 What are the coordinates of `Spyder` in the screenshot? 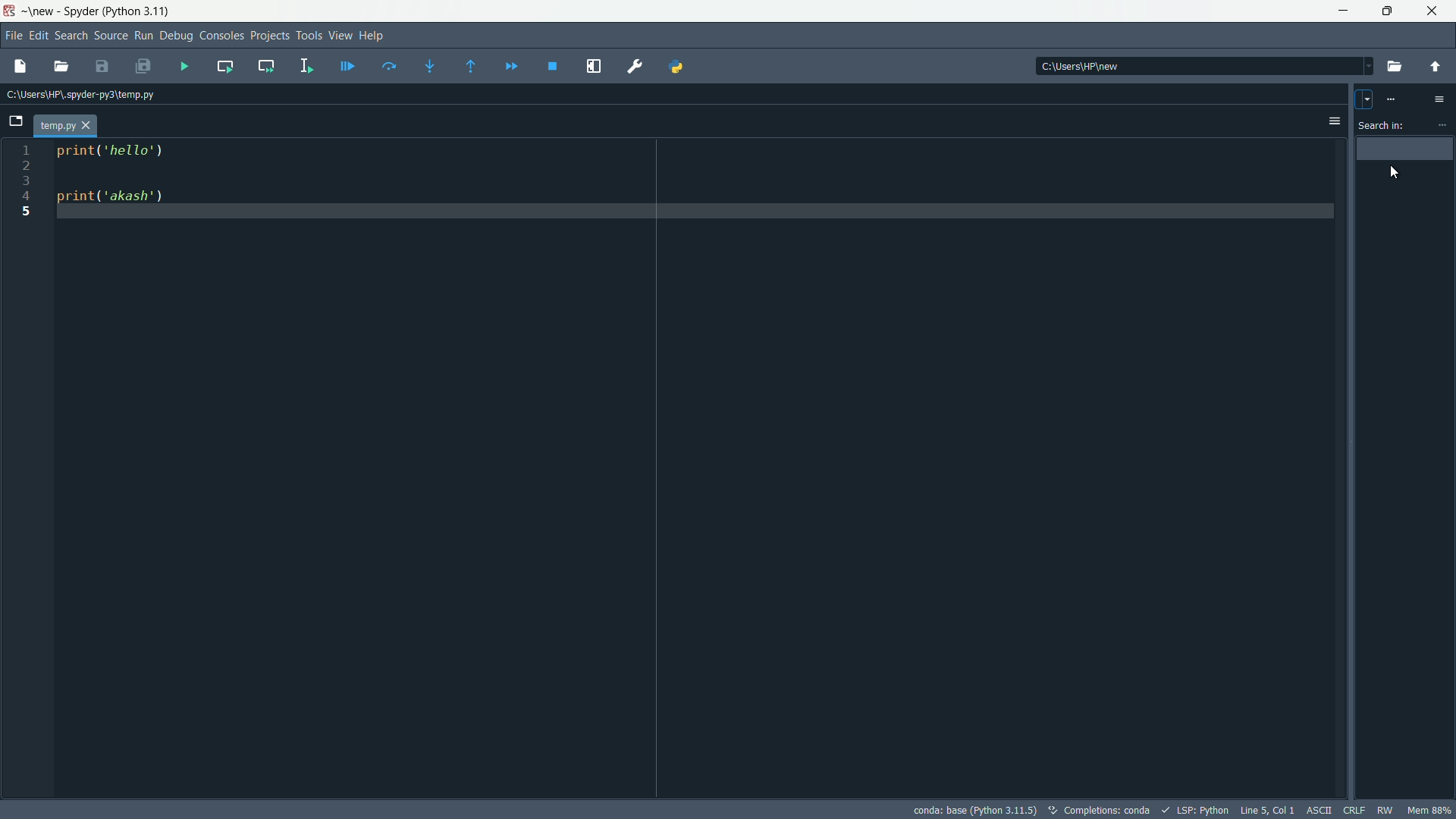 It's located at (80, 11).